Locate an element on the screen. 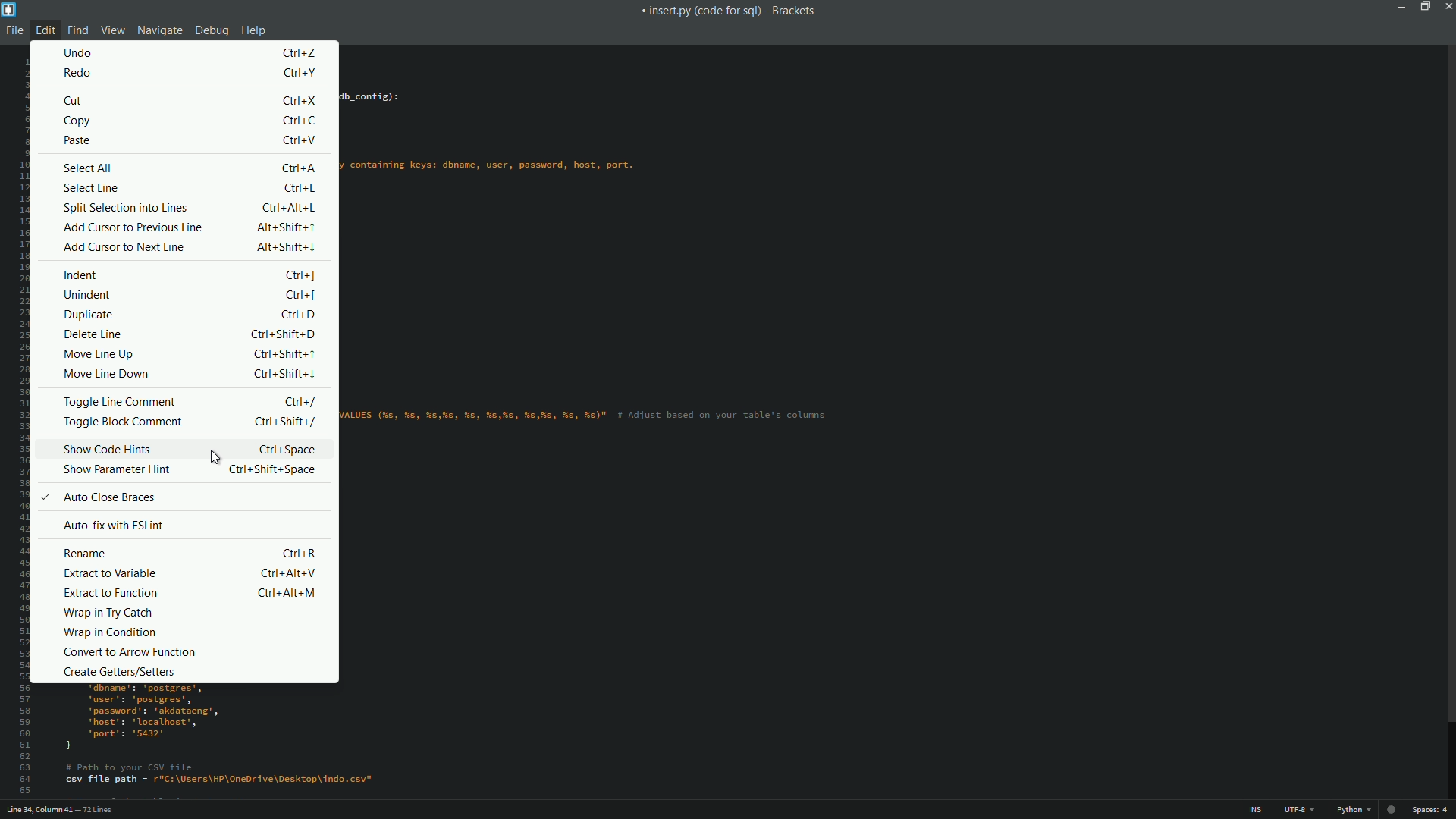 The image size is (1456, 819). keyboard shortcut is located at coordinates (286, 422).